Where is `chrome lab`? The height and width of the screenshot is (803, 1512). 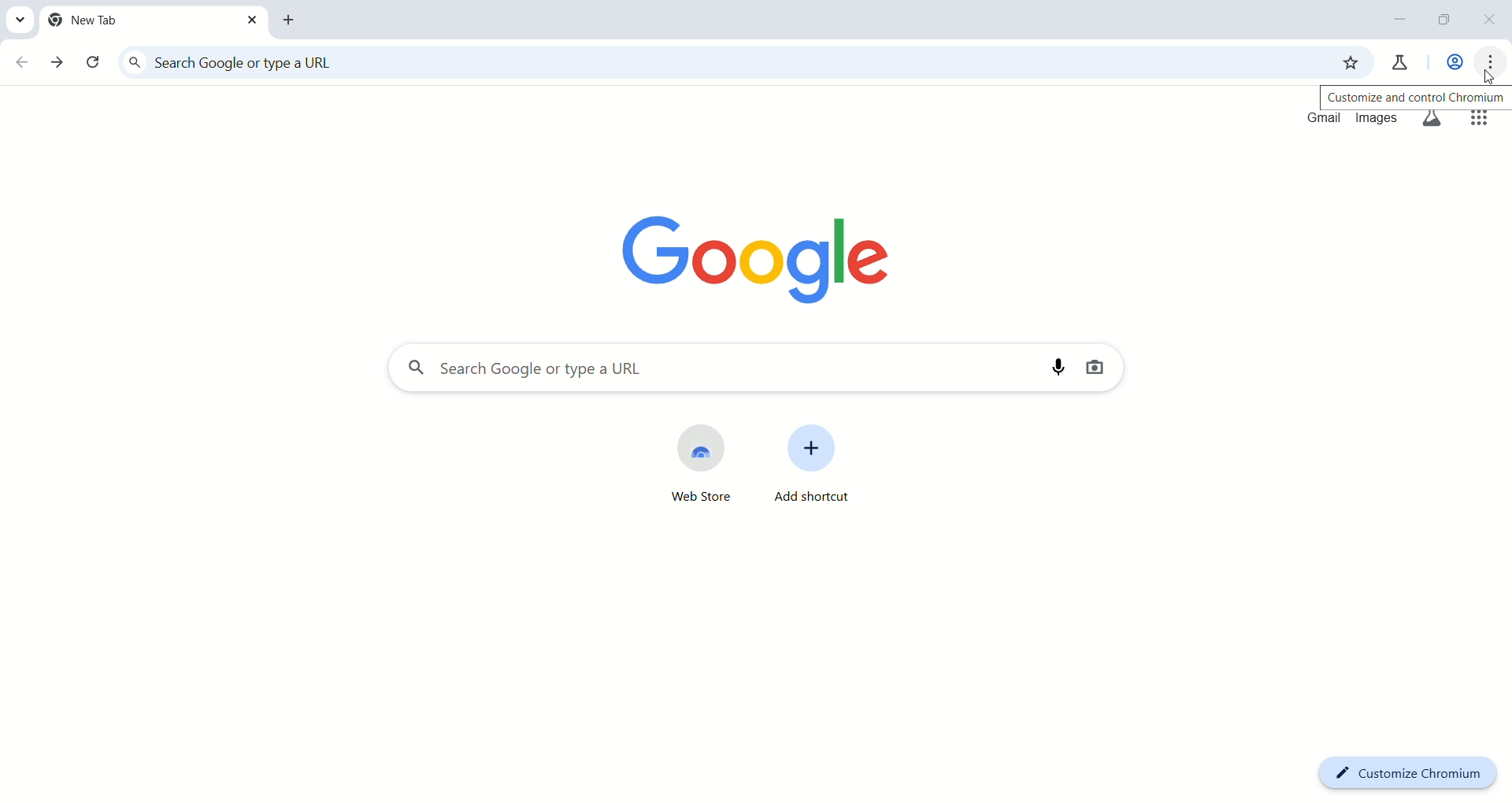 chrome lab is located at coordinates (1398, 66).